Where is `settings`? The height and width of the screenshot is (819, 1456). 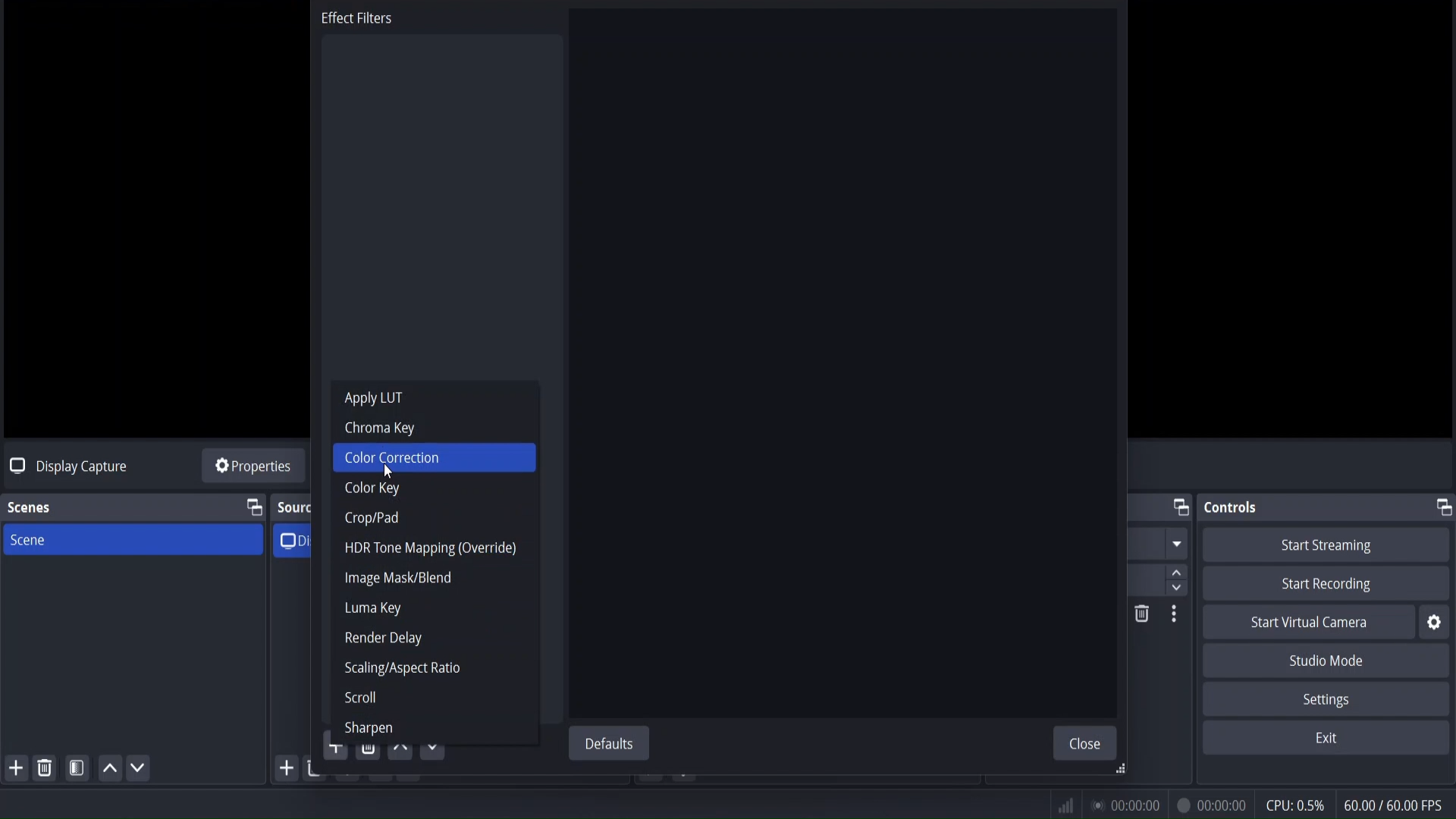
settings is located at coordinates (1323, 699).